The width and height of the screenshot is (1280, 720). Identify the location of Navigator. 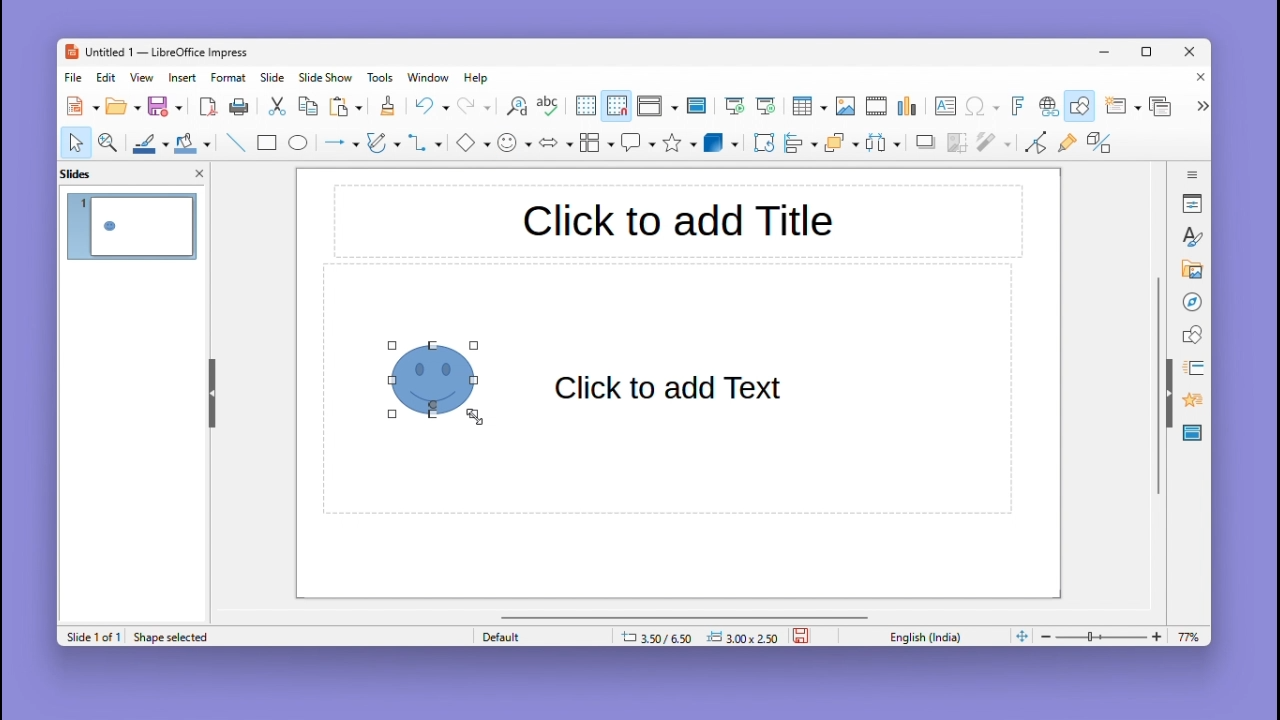
(1192, 300).